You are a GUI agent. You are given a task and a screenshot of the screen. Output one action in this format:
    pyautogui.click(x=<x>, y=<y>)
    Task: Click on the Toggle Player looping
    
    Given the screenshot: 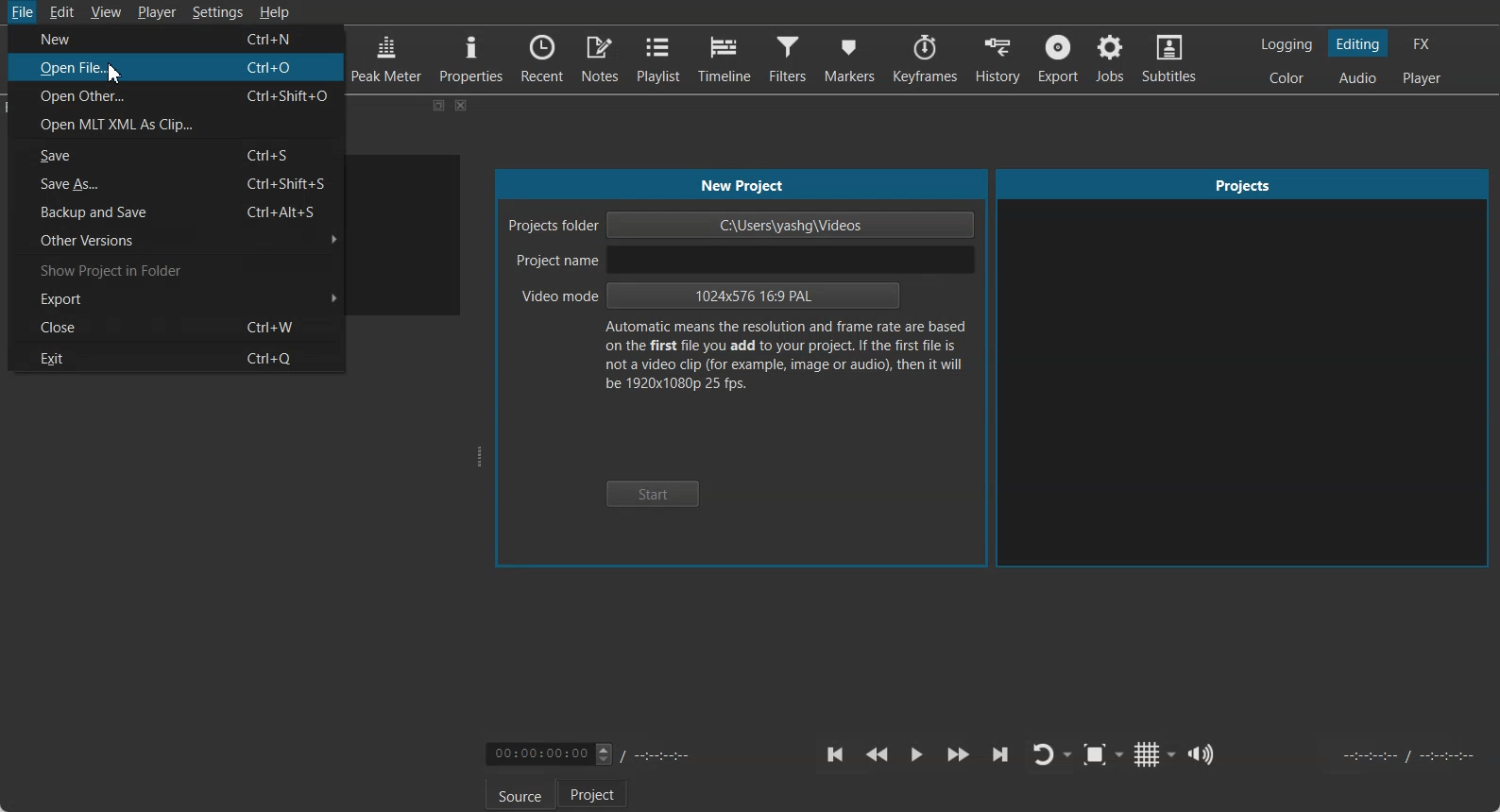 What is the action you would take?
    pyautogui.click(x=1051, y=755)
    